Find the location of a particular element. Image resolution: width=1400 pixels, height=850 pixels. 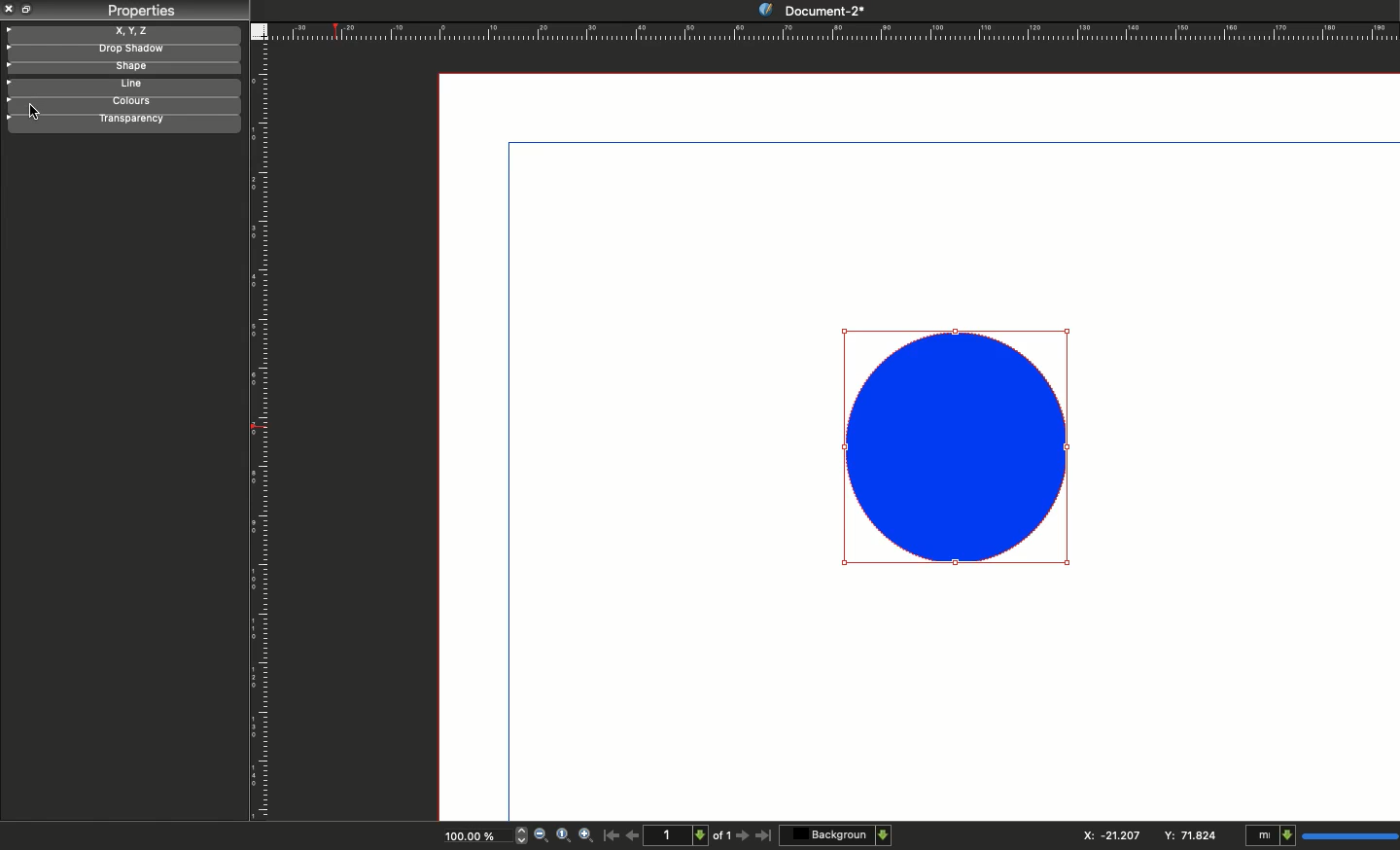

Ruler is located at coordinates (833, 31).